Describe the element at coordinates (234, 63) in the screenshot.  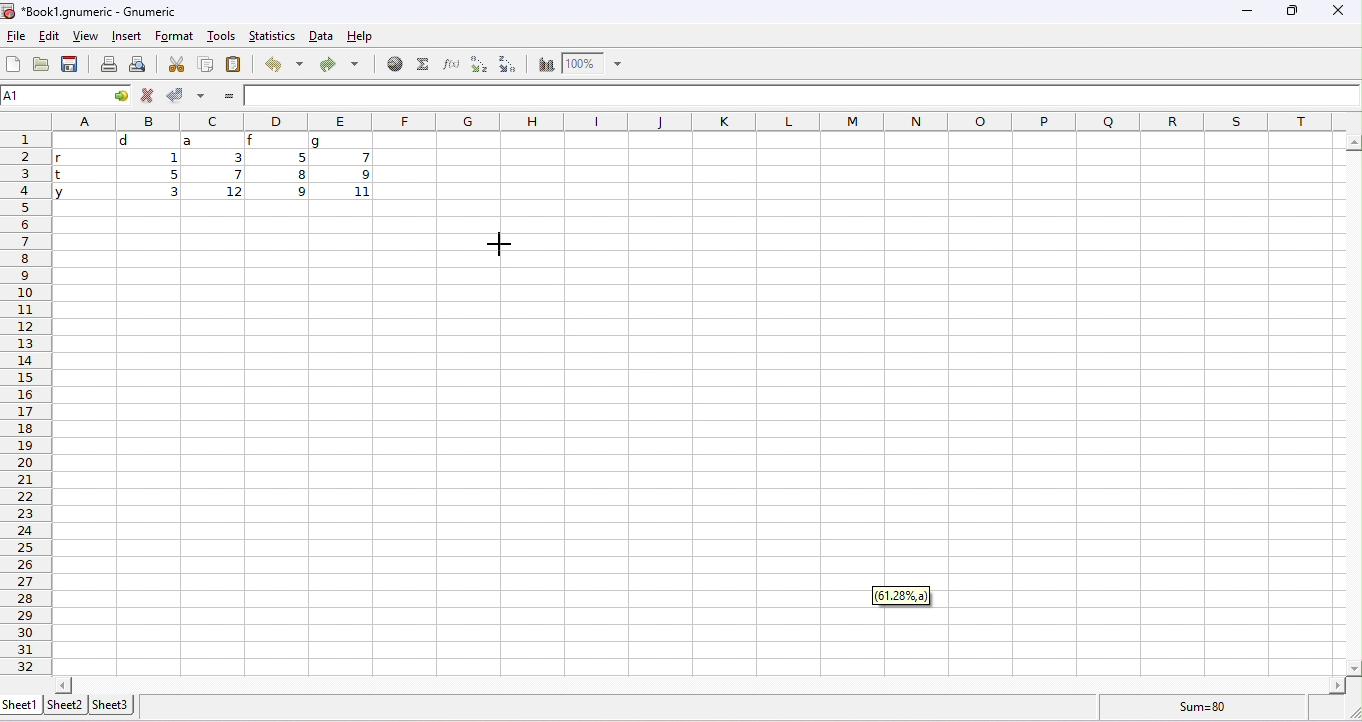
I see `paste` at that location.